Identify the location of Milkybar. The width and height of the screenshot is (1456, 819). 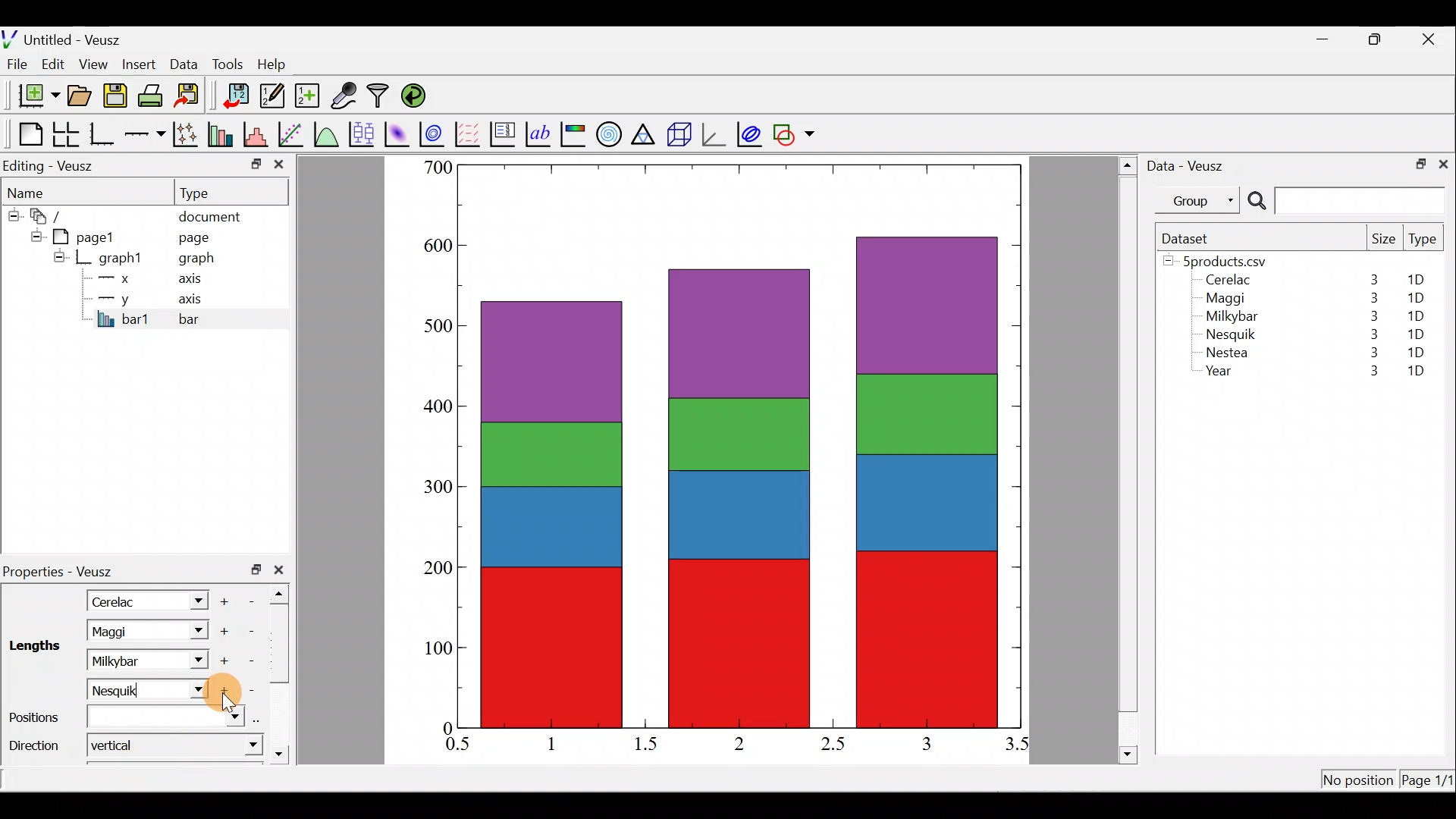
(130, 660).